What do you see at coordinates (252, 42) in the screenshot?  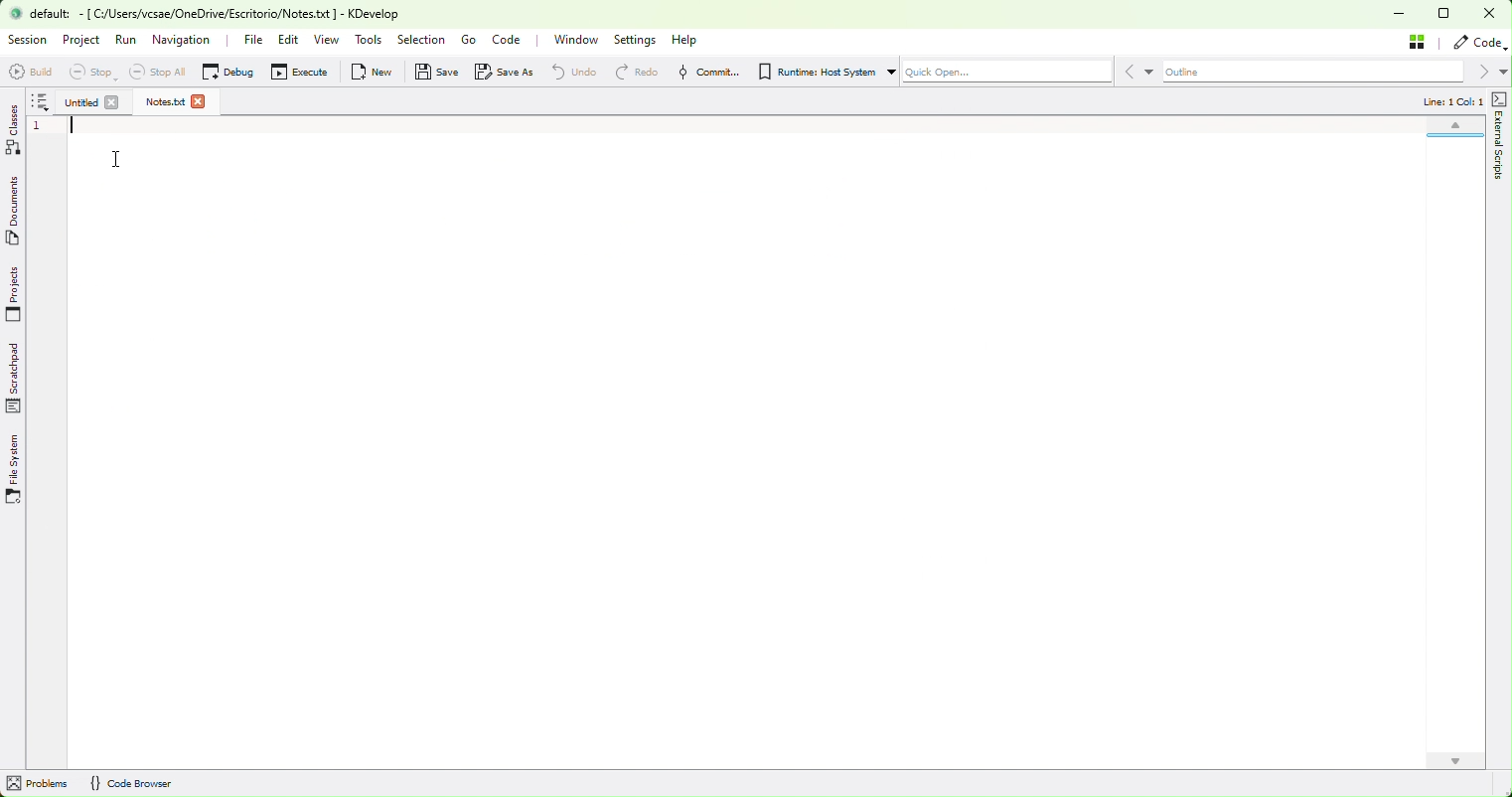 I see `file` at bounding box center [252, 42].